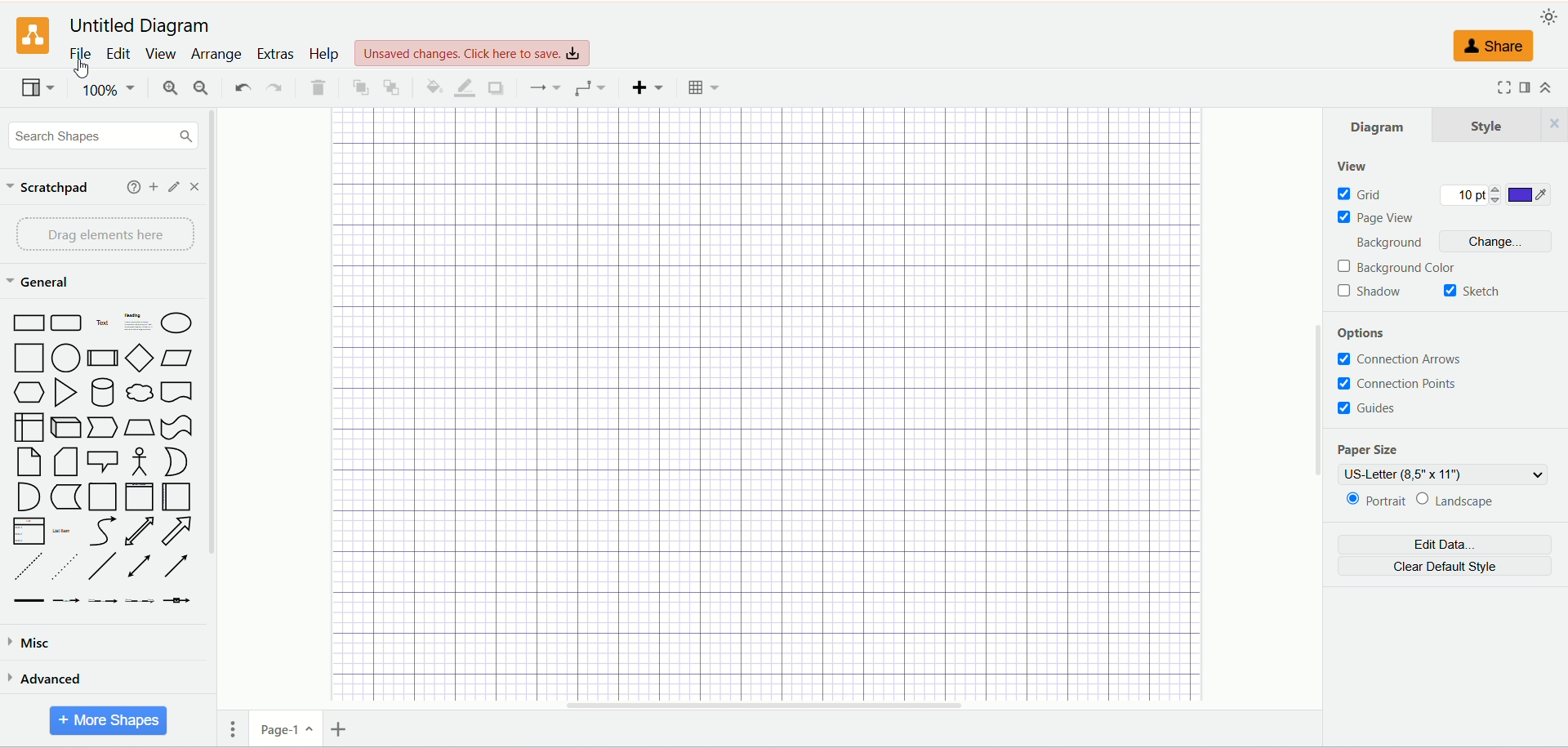 The width and height of the screenshot is (1568, 748). Describe the element at coordinates (1397, 383) in the screenshot. I see `connection points` at that location.